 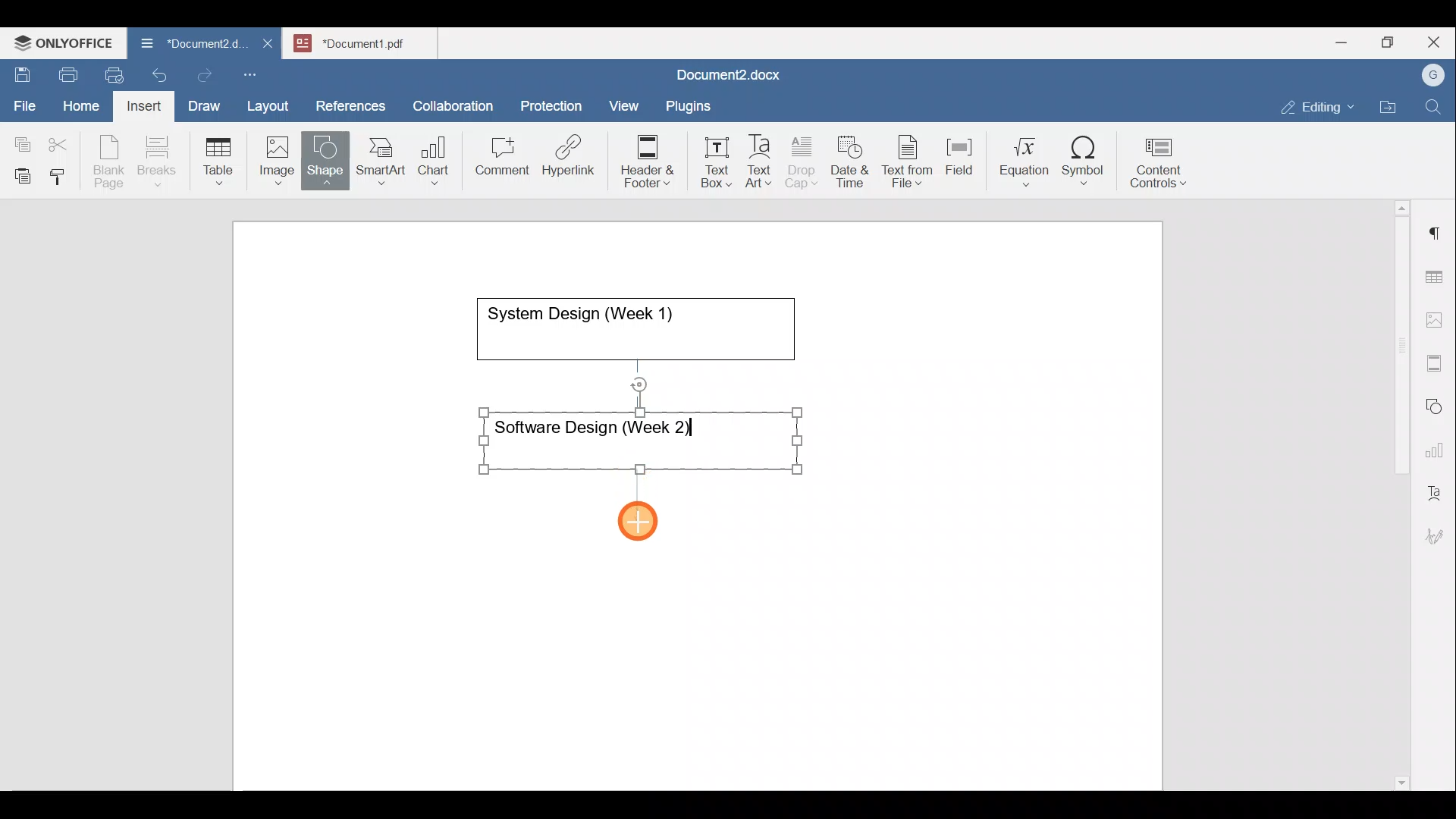 What do you see at coordinates (1429, 76) in the screenshot?
I see `Account name` at bounding box center [1429, 76].